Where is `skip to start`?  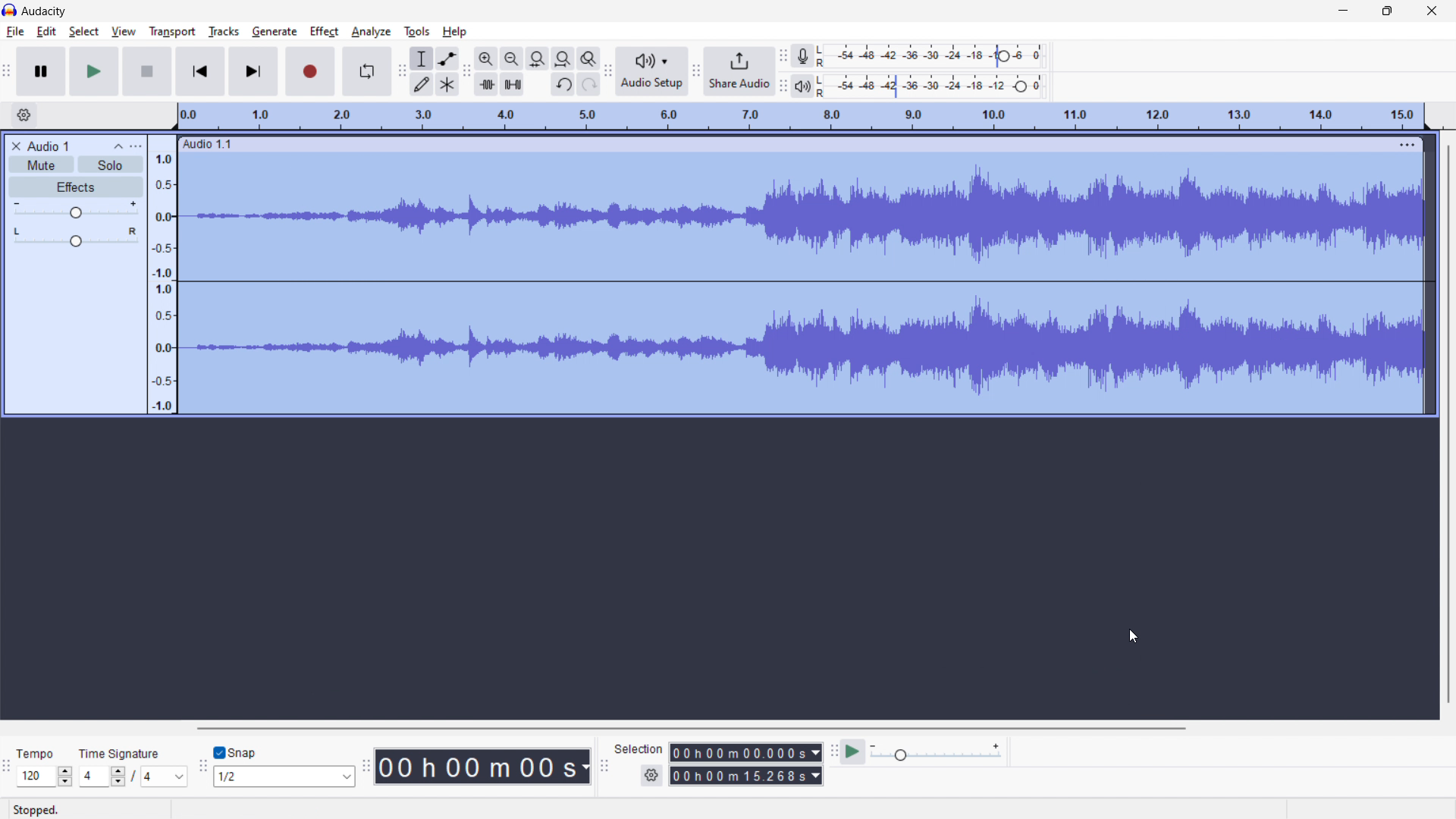 skip to start is located at coordinates (200, 71).